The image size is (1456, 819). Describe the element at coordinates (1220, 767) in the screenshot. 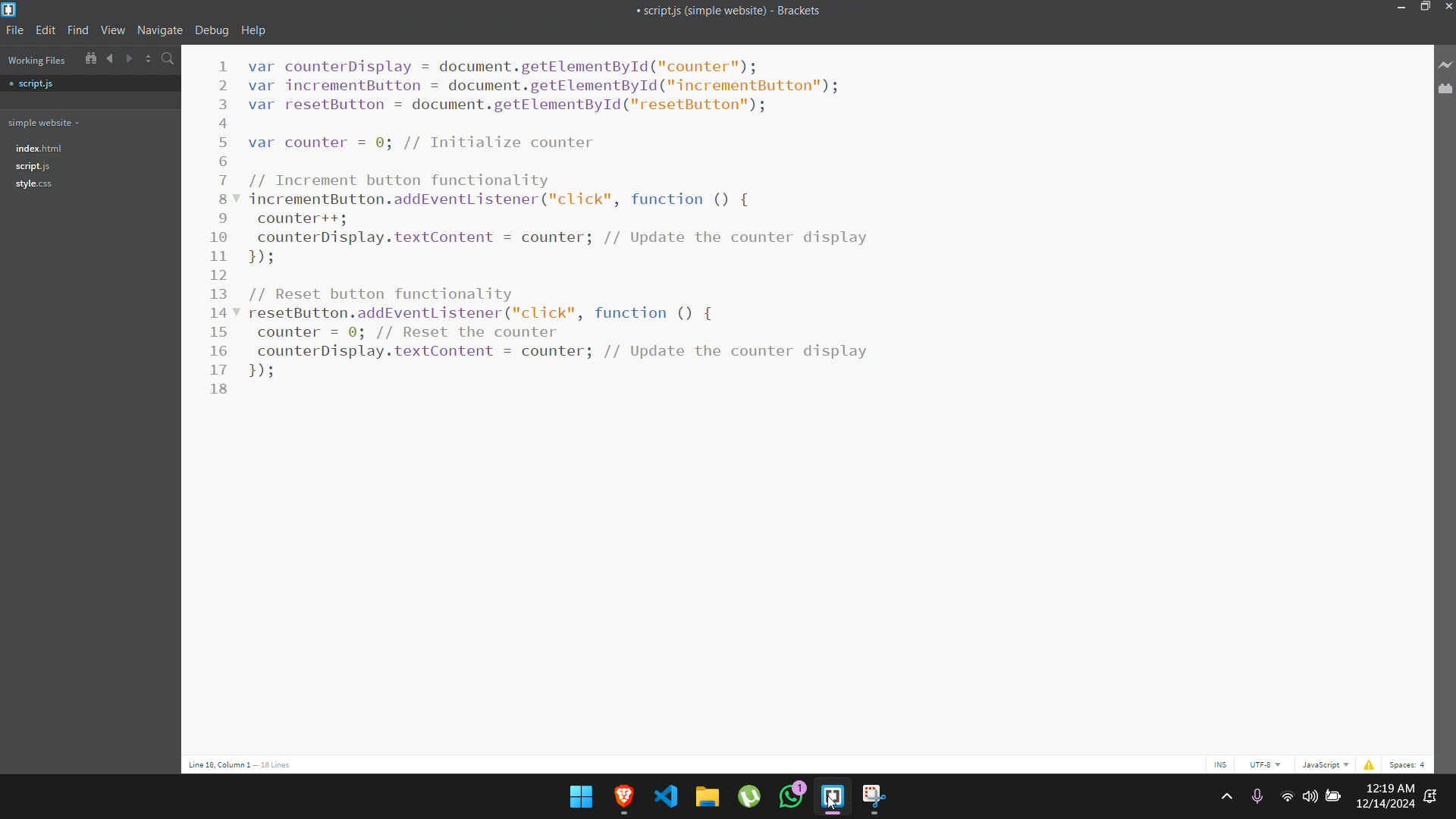

I see `cursor toggle` at that location.